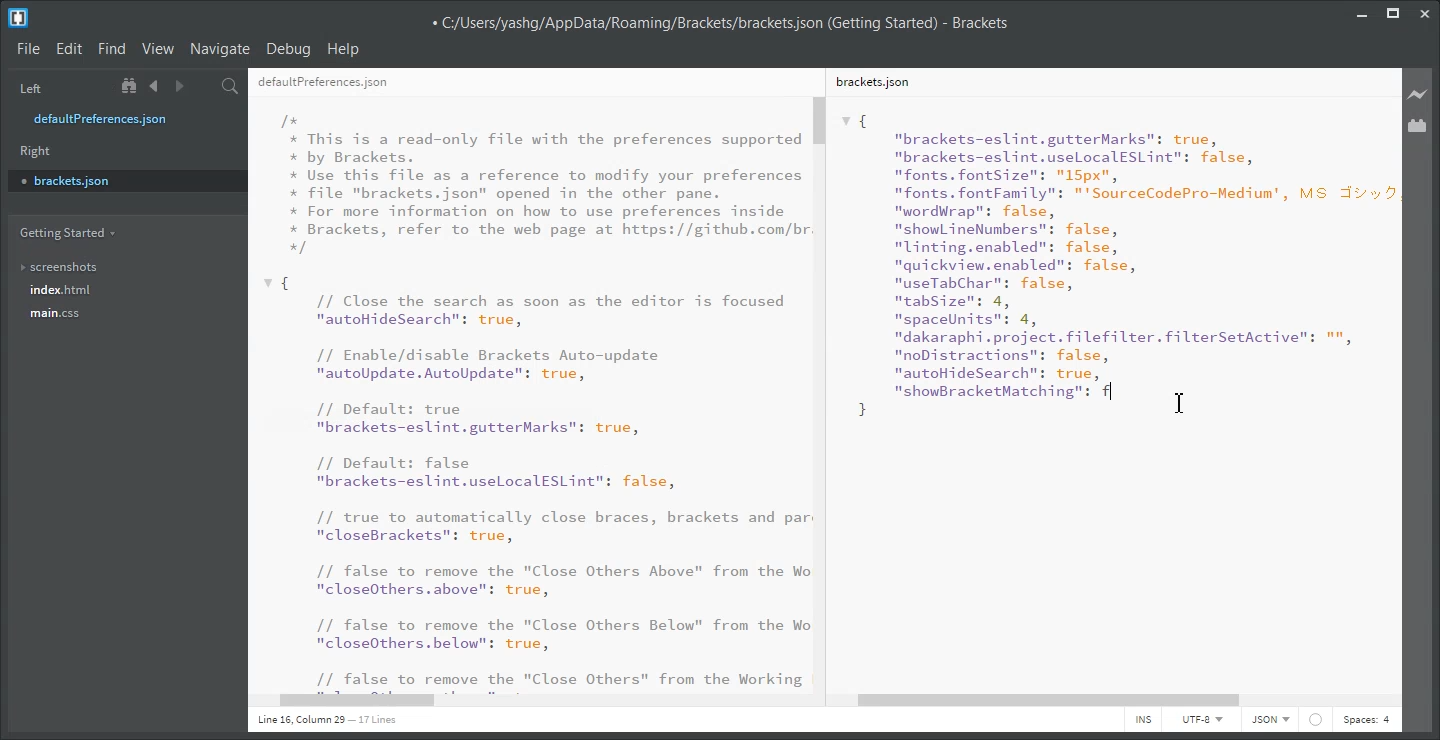 The image size is (1440, 740). I want to click on {
// Close the search as soon as the editor is focused
"autoHideSearch": true,
// Enable/disable Brackets Auto-update
"autoUpdate. AutoUpdate": true,
// Default: true
"brackets-eslint.gutterMarks": true,
// Default: false
"brackets-eslint.uselocalESLint": false,
// true to automatically close braces, brackets and par
"closeBrackets": true,
// false to remove the "Close Others Above" from the Wo
"closeOthers. above": true,
// false to remove the "Close Others Below" from the Wo
"closeOthers.below": true,
// false to remove the "Close Others" from the Working, so click(536, 482).